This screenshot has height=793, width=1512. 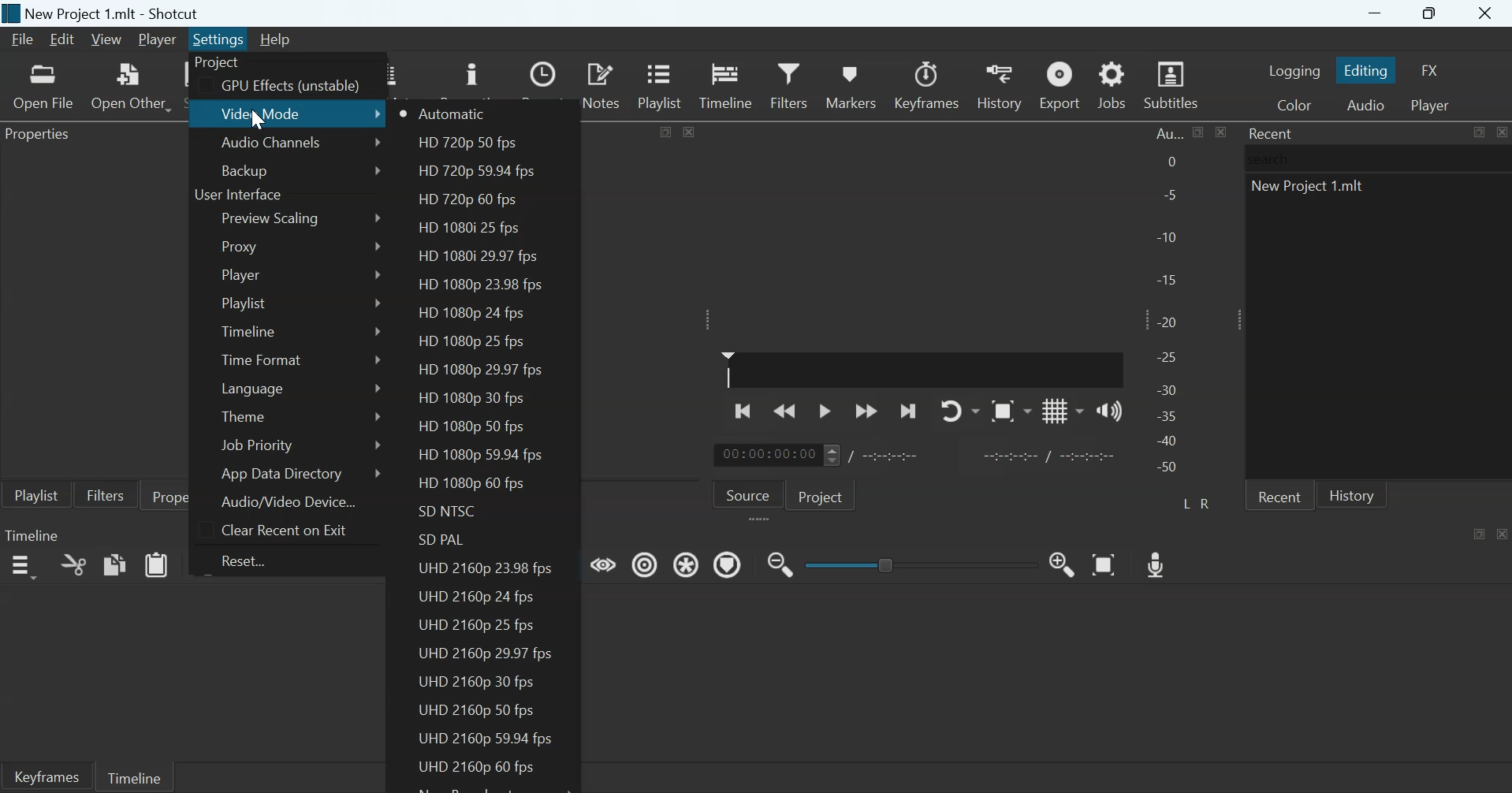 What do you see at coordinates (255, 445) in the screenshot?
I see `Job priority` at bounding box center [255, 445].